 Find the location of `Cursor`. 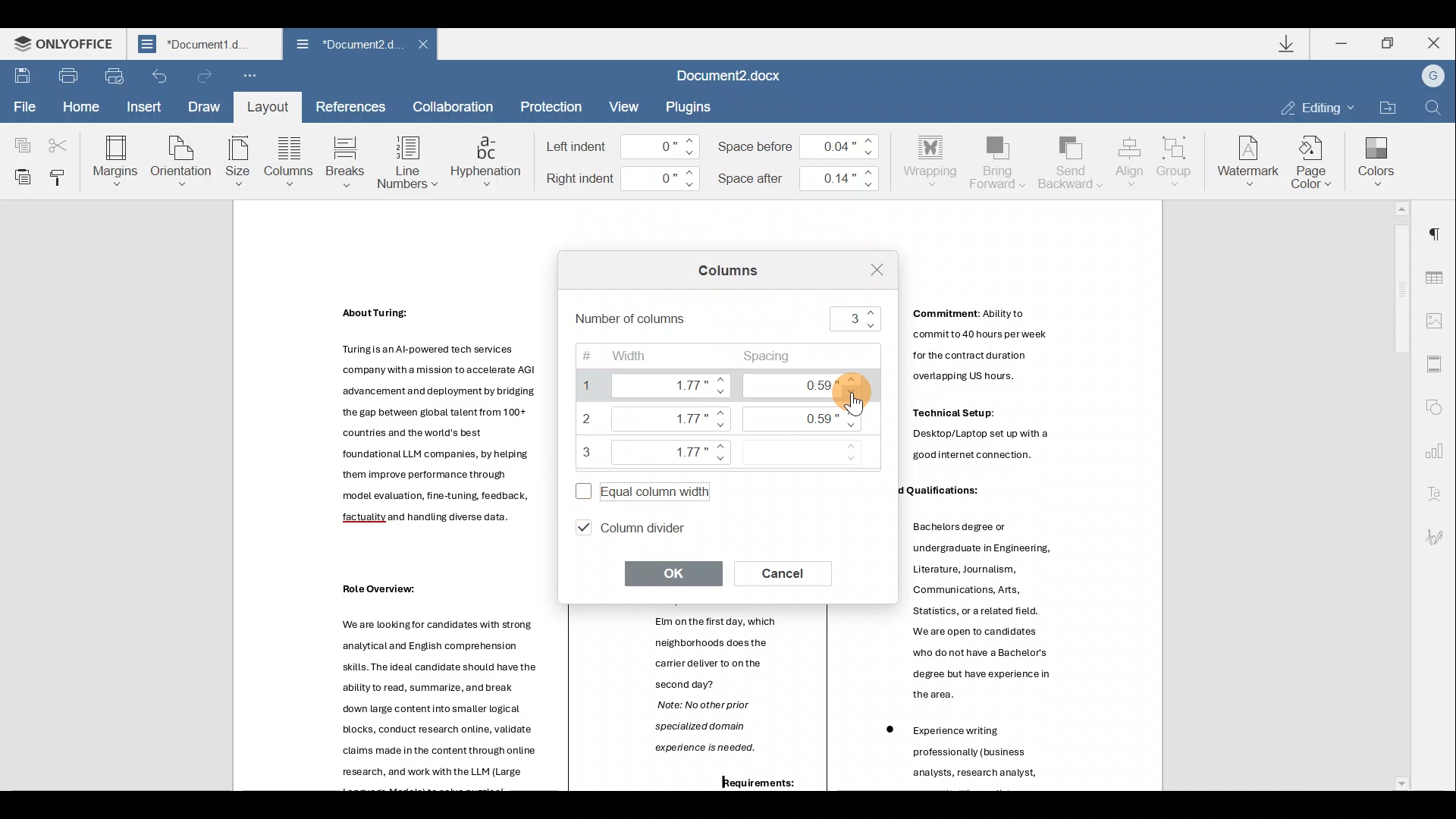

Cursor is located at coordinates (849, 403).